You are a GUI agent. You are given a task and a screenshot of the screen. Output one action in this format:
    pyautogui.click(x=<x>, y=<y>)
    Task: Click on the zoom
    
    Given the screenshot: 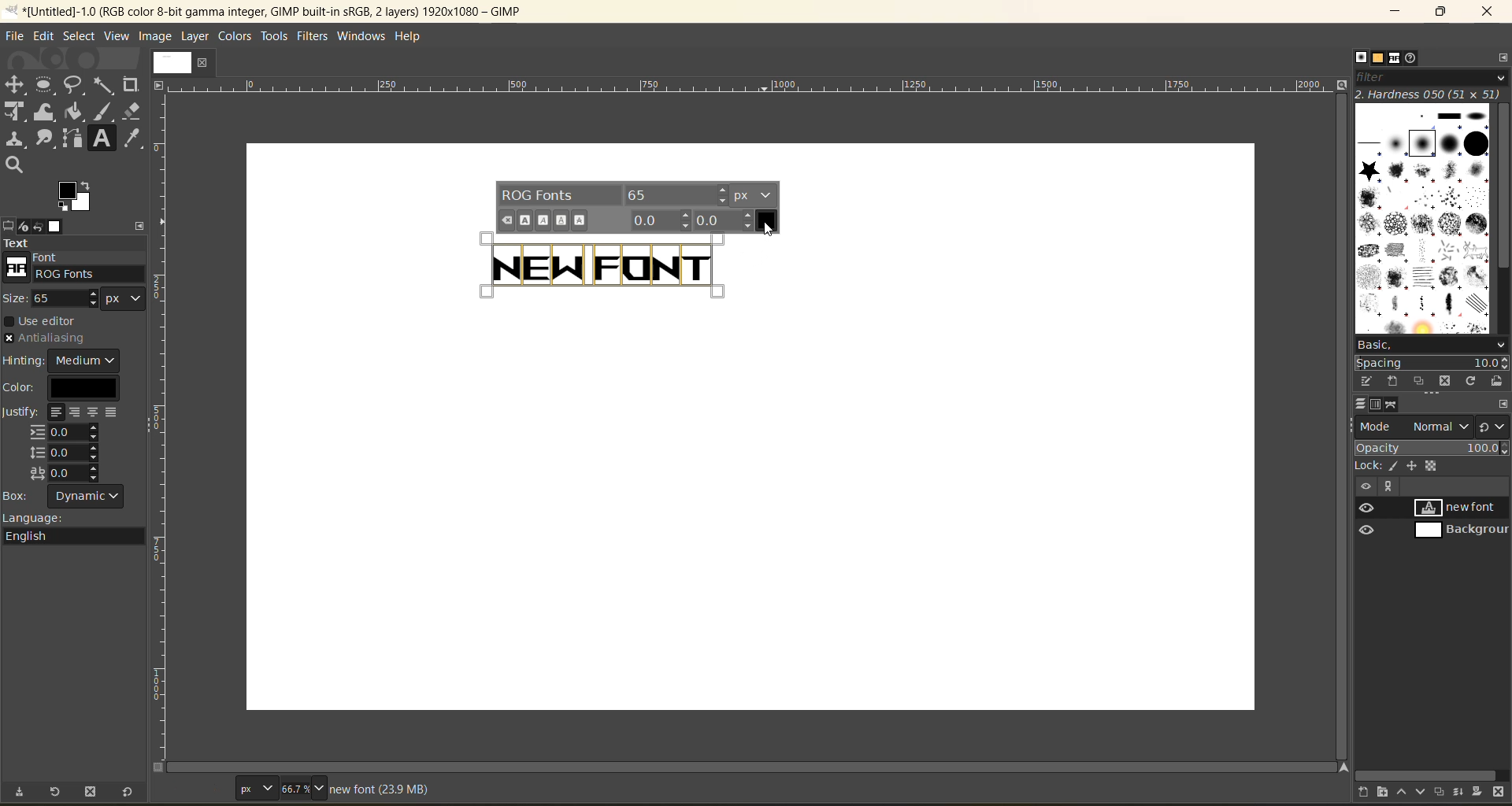 What is the action you would take?
    pyautogui.click(x=305, y=787)
    